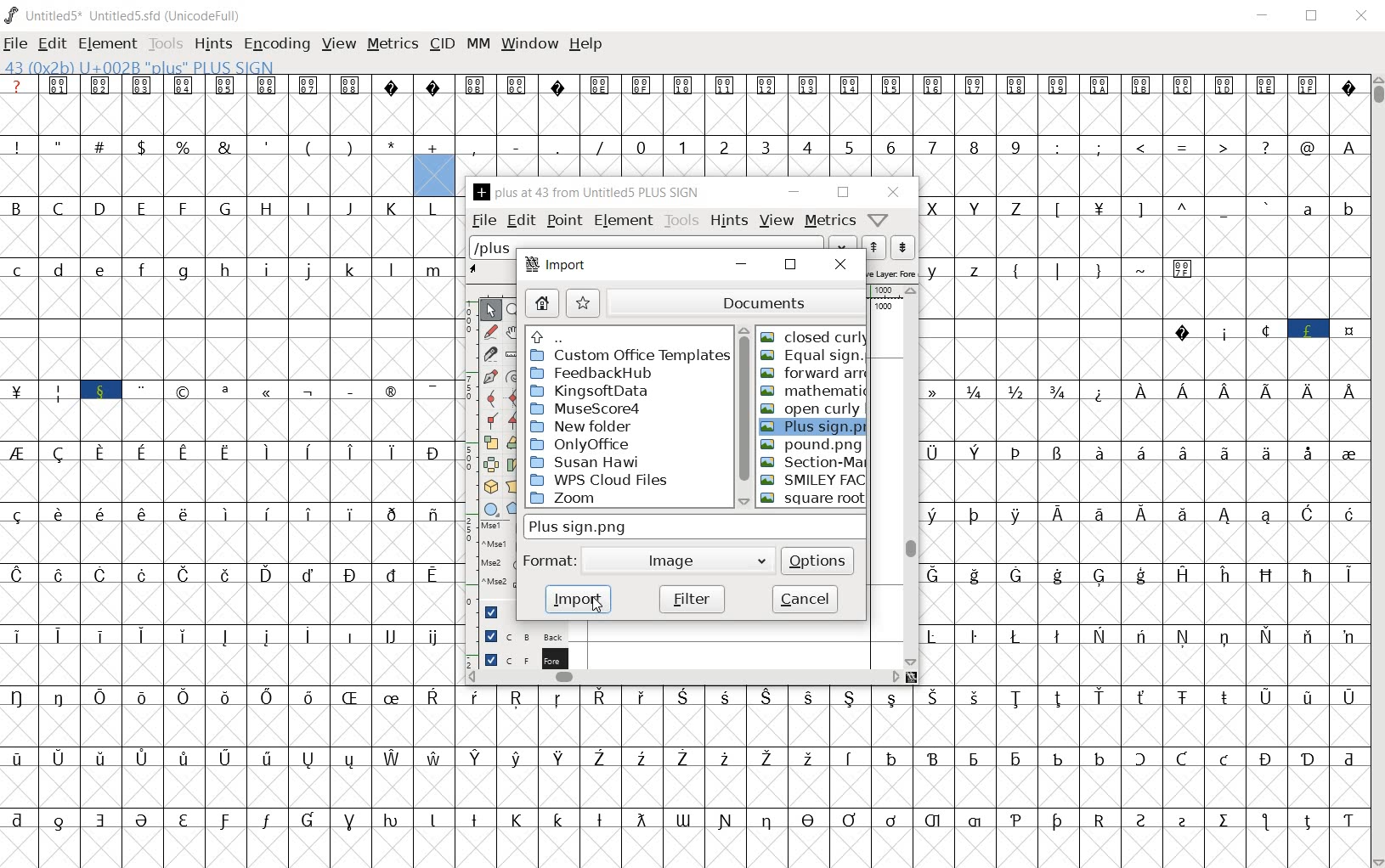 This screenshot has width=1385, height=868. I want to click on UP directories, so click(625, 336).